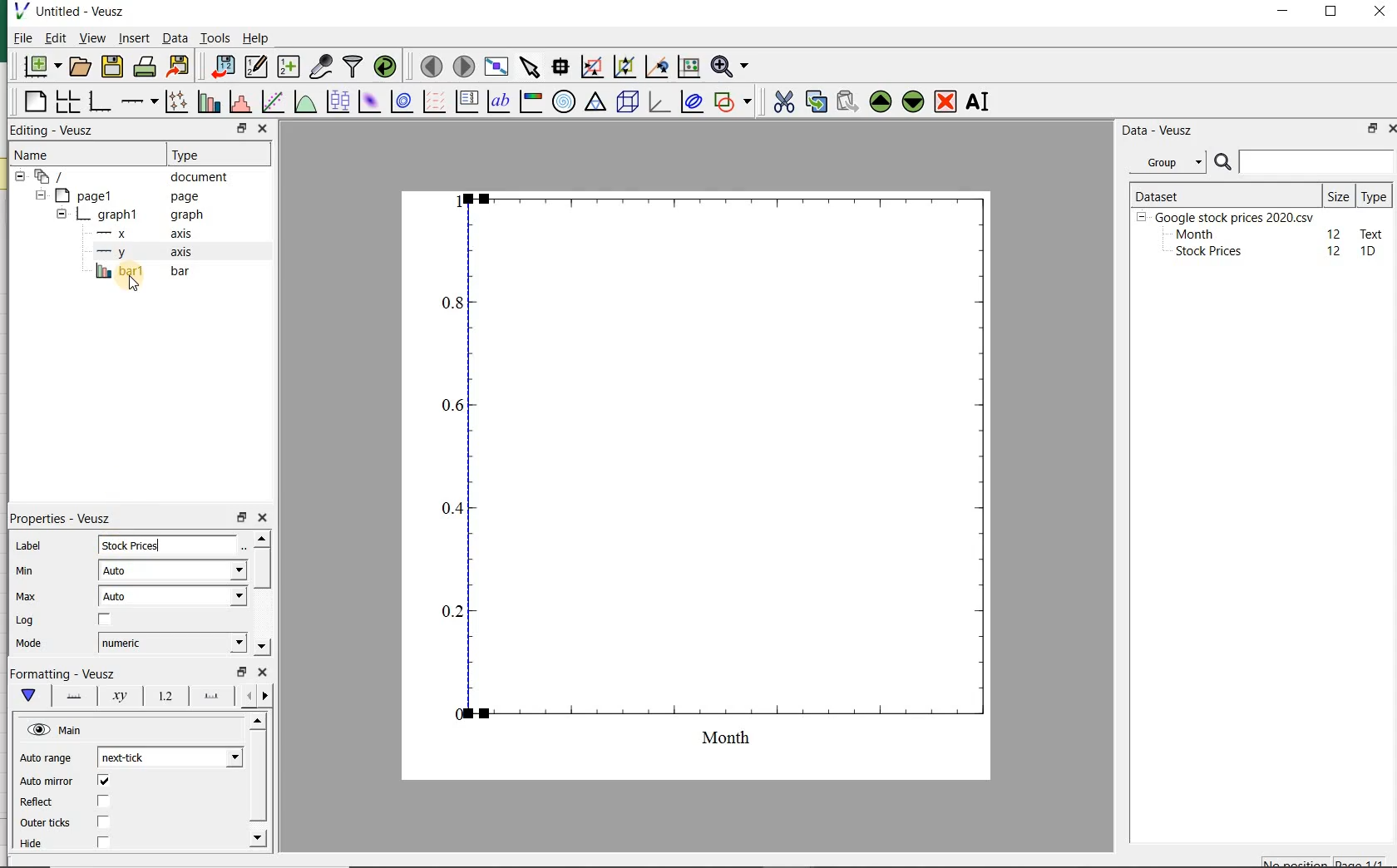 The image size is (1397, 868). Describe the element at coordinates (243, 518) in the screenshot. I see `restore` at that location.